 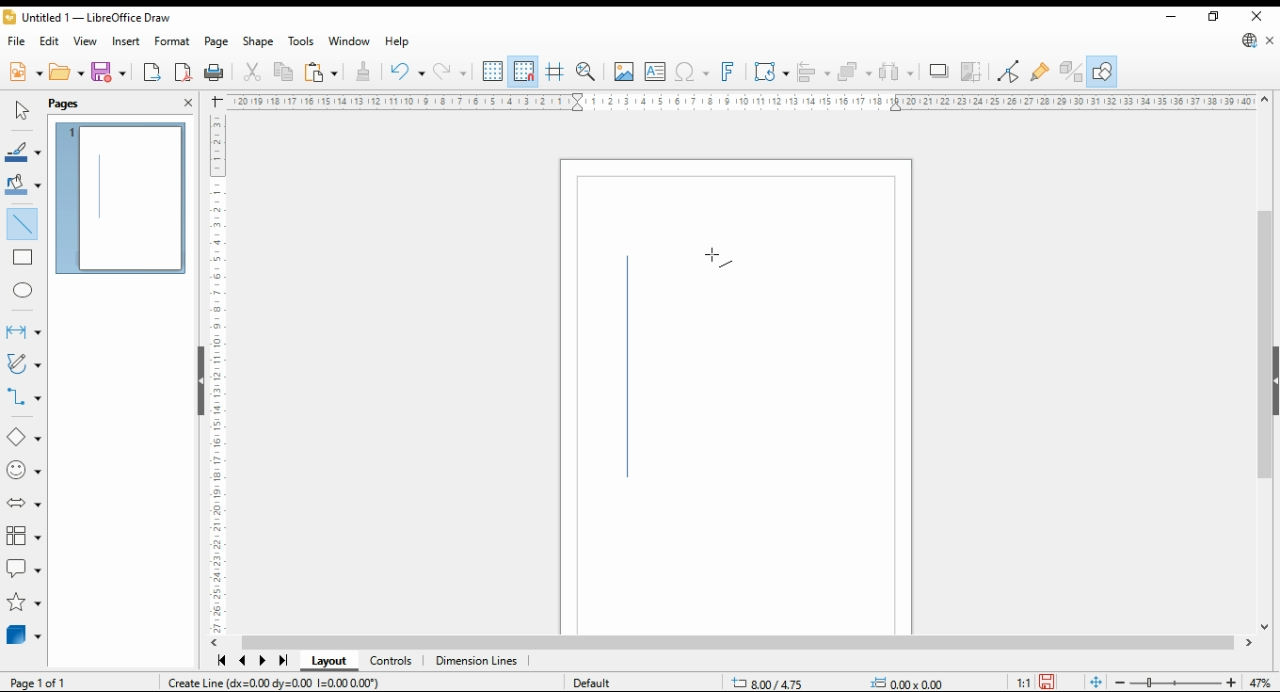 What do you see at coordinates (20, 438) in the screenshot?
I see `basic shapes` at bounding box center [20, 438].